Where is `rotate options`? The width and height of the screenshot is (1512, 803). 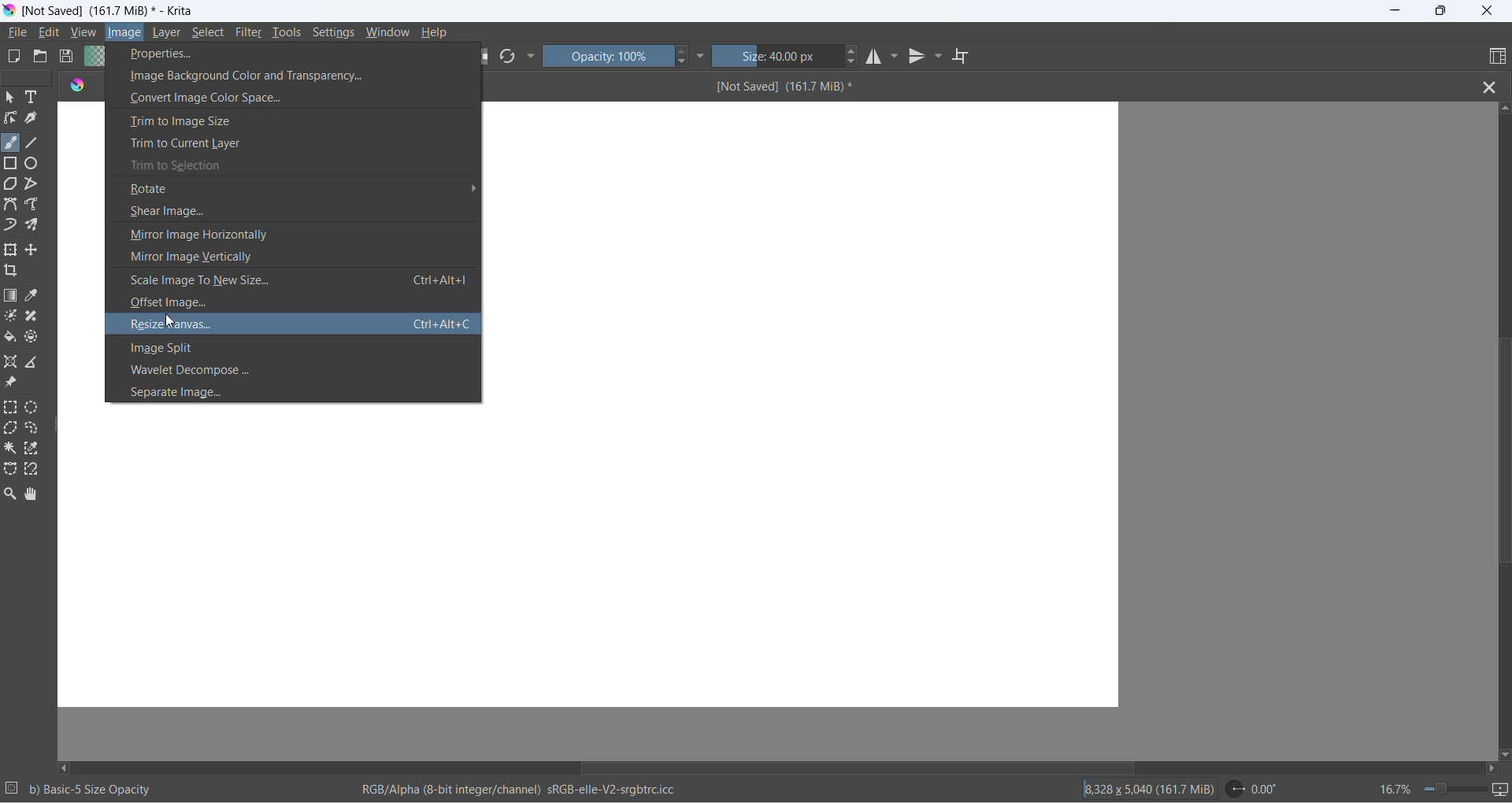
rotate options is located at coordinates (296, 191).